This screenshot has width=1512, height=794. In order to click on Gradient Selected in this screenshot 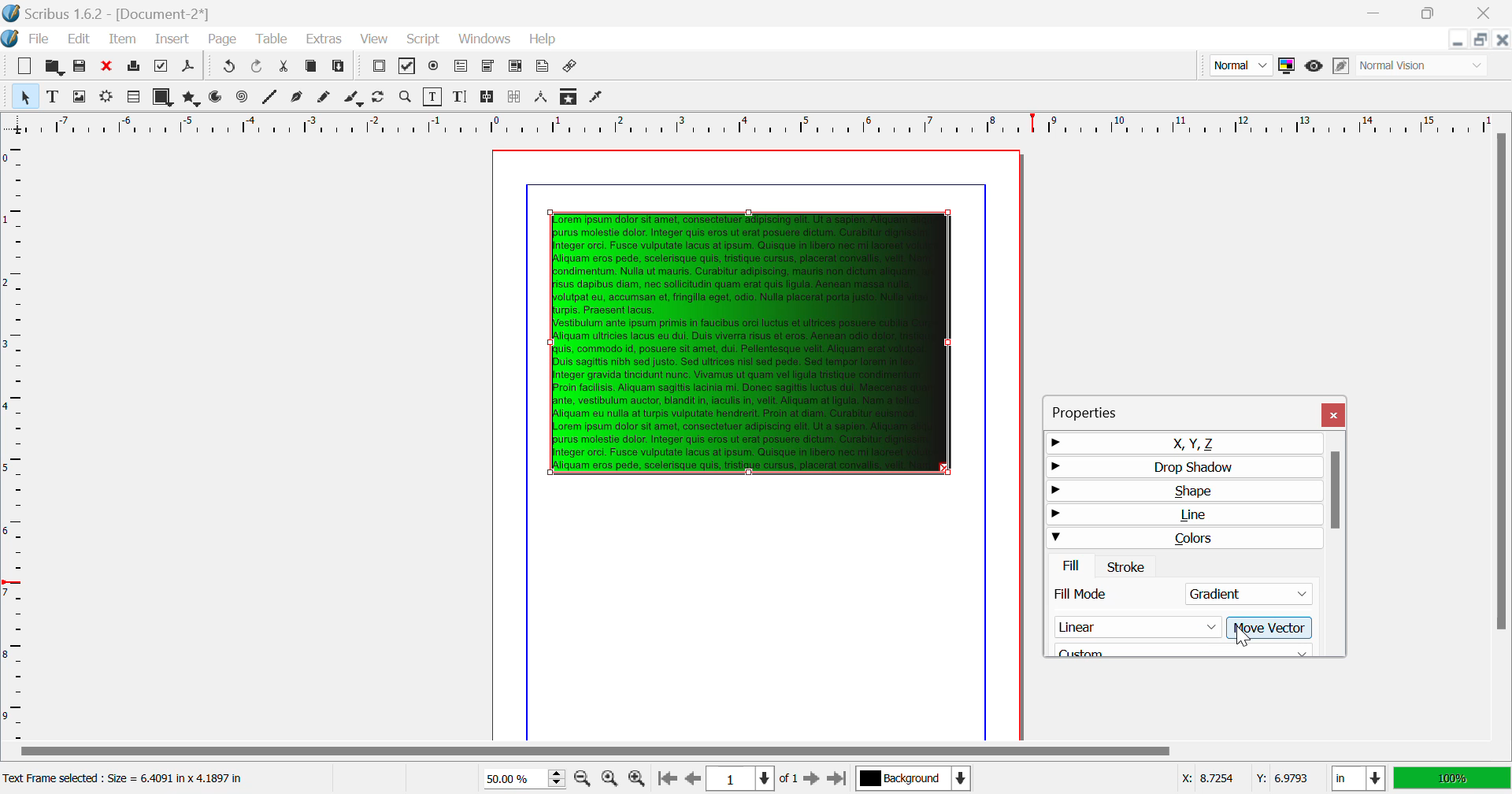, I will do `click(1180, 596)`.